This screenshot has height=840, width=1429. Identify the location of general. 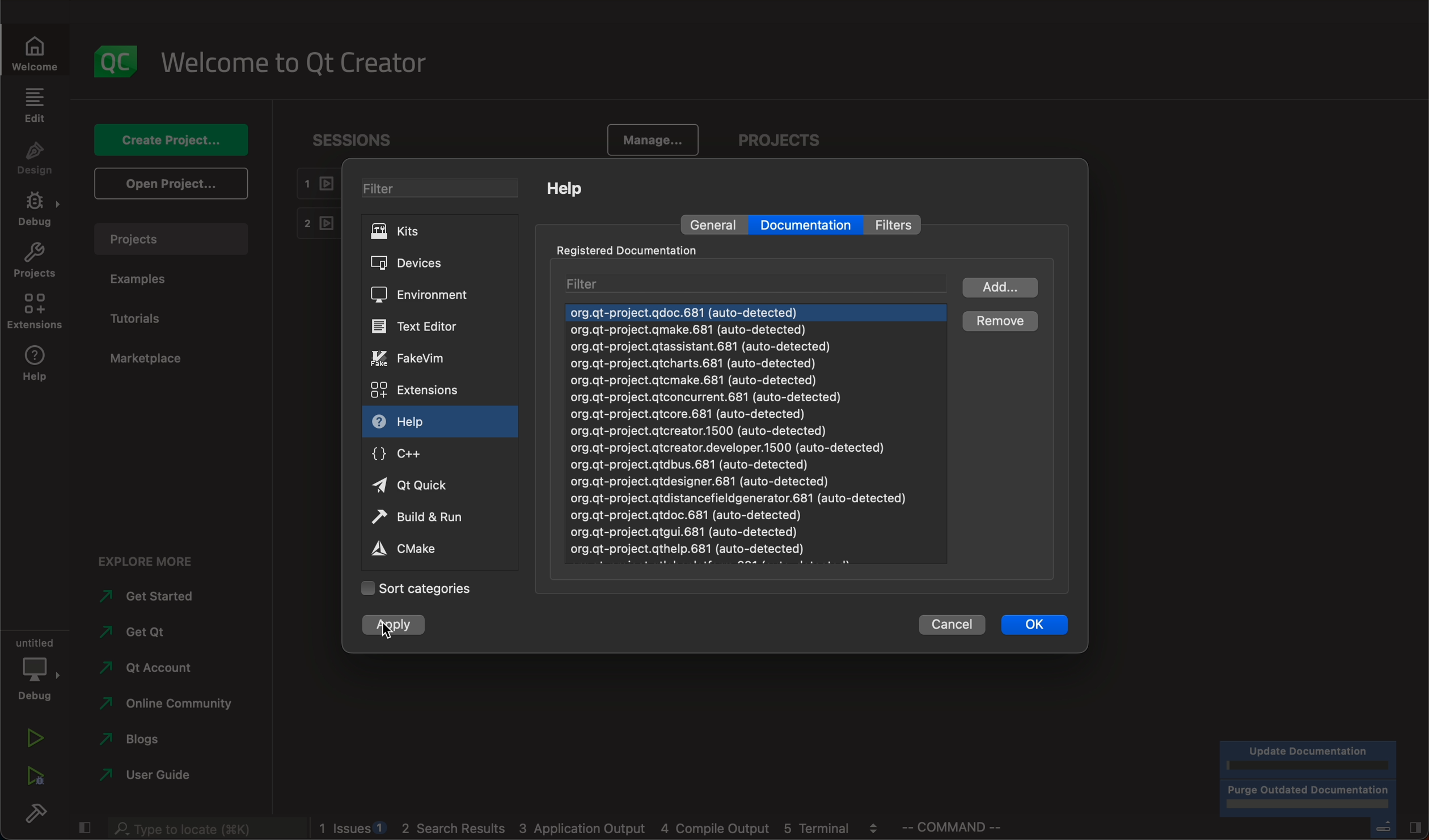
(711, 226).